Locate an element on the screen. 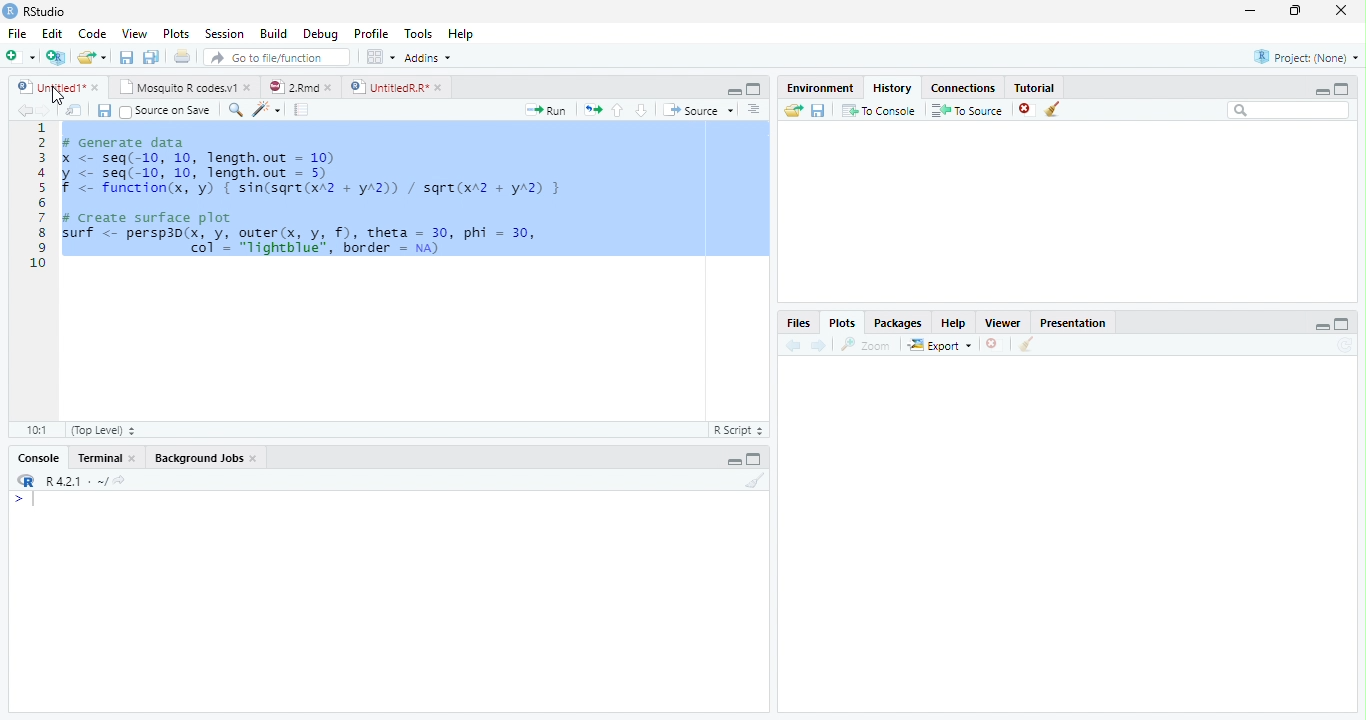  close is located at coordinates (96, 87).